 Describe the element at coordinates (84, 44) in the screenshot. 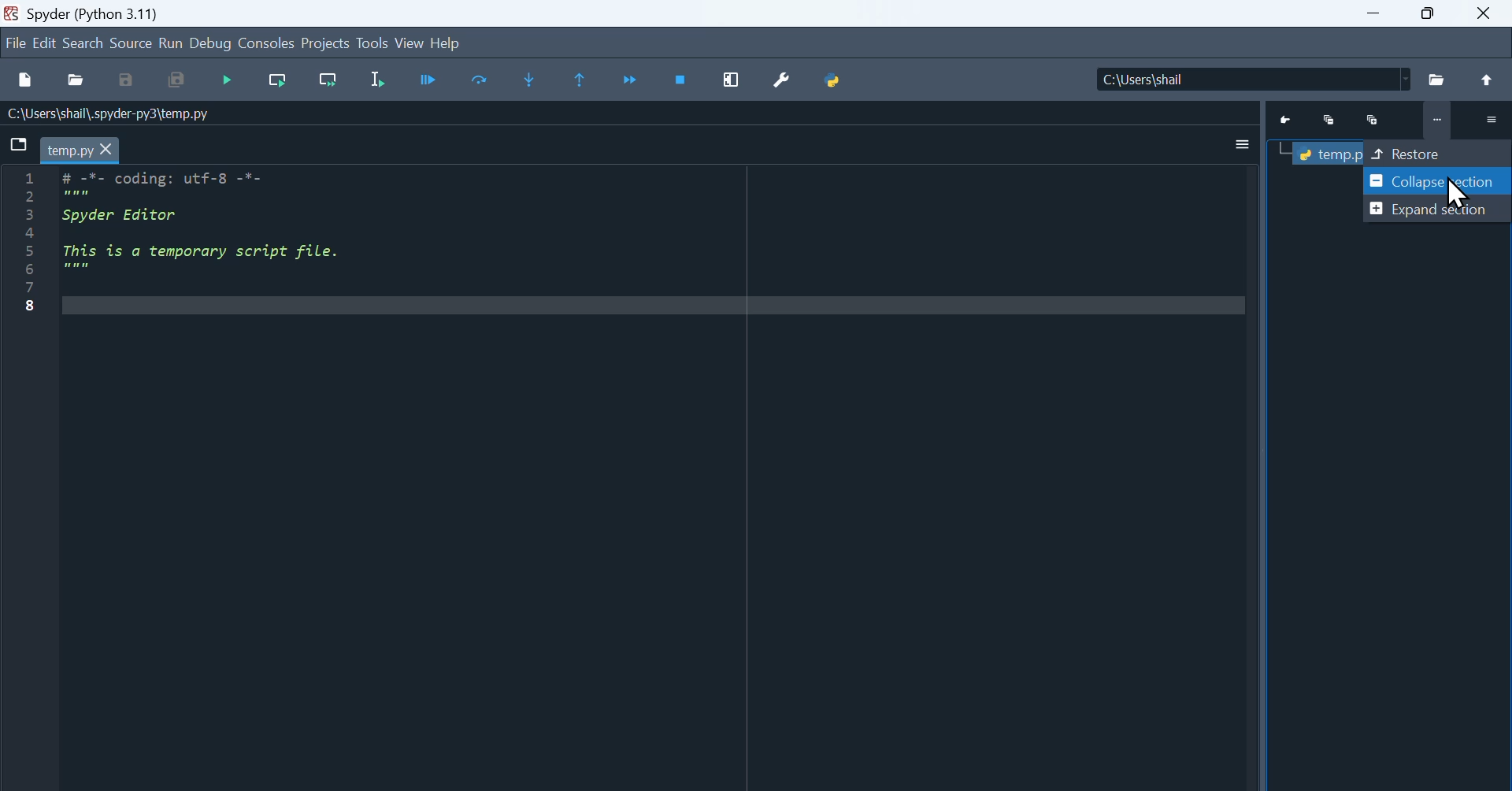

I see `search` at that location.